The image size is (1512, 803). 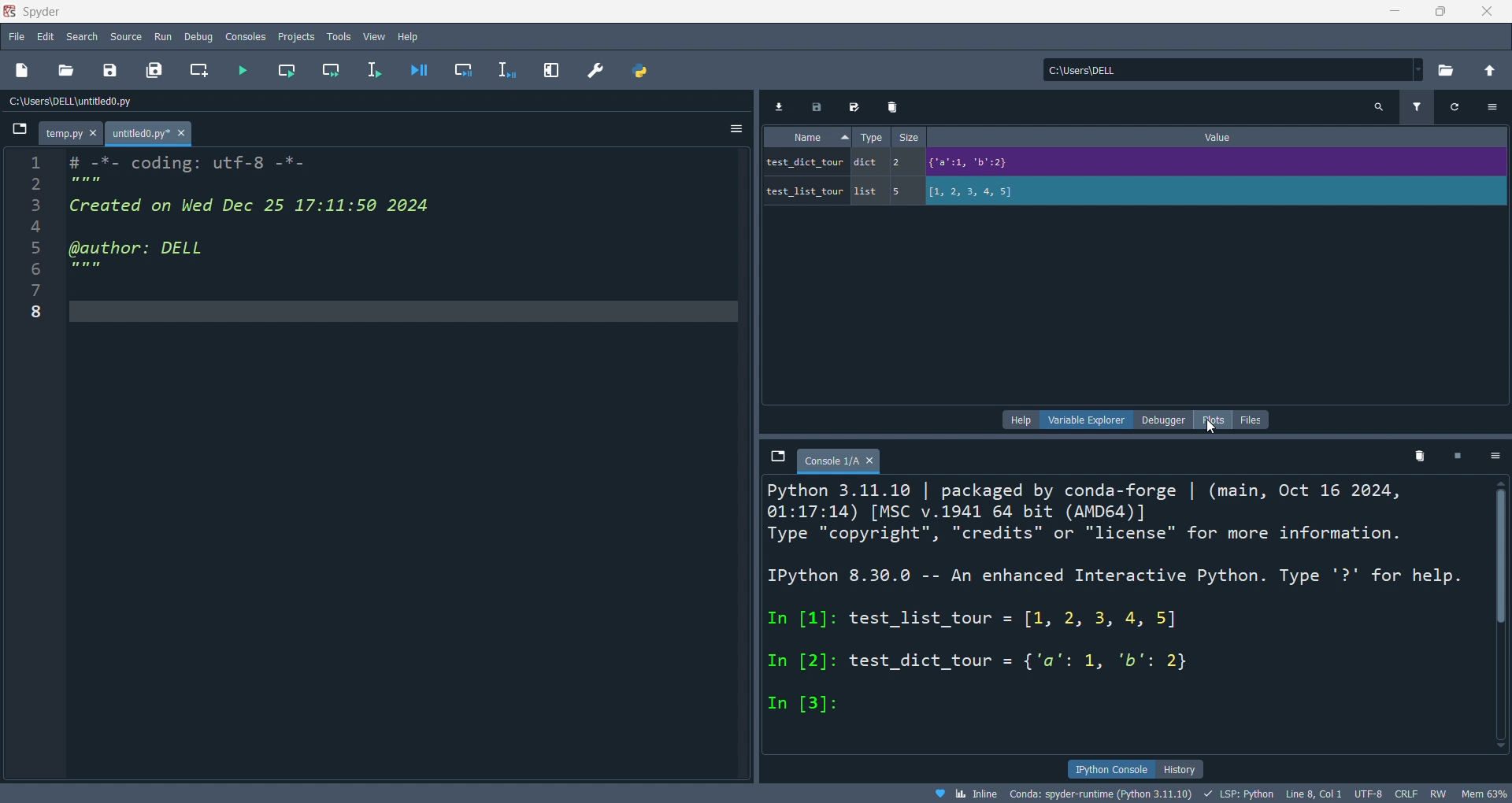 What do you see at coordinates (150, 133) in the screenshot?
I see `tab ` at bounding box center [150, 133].